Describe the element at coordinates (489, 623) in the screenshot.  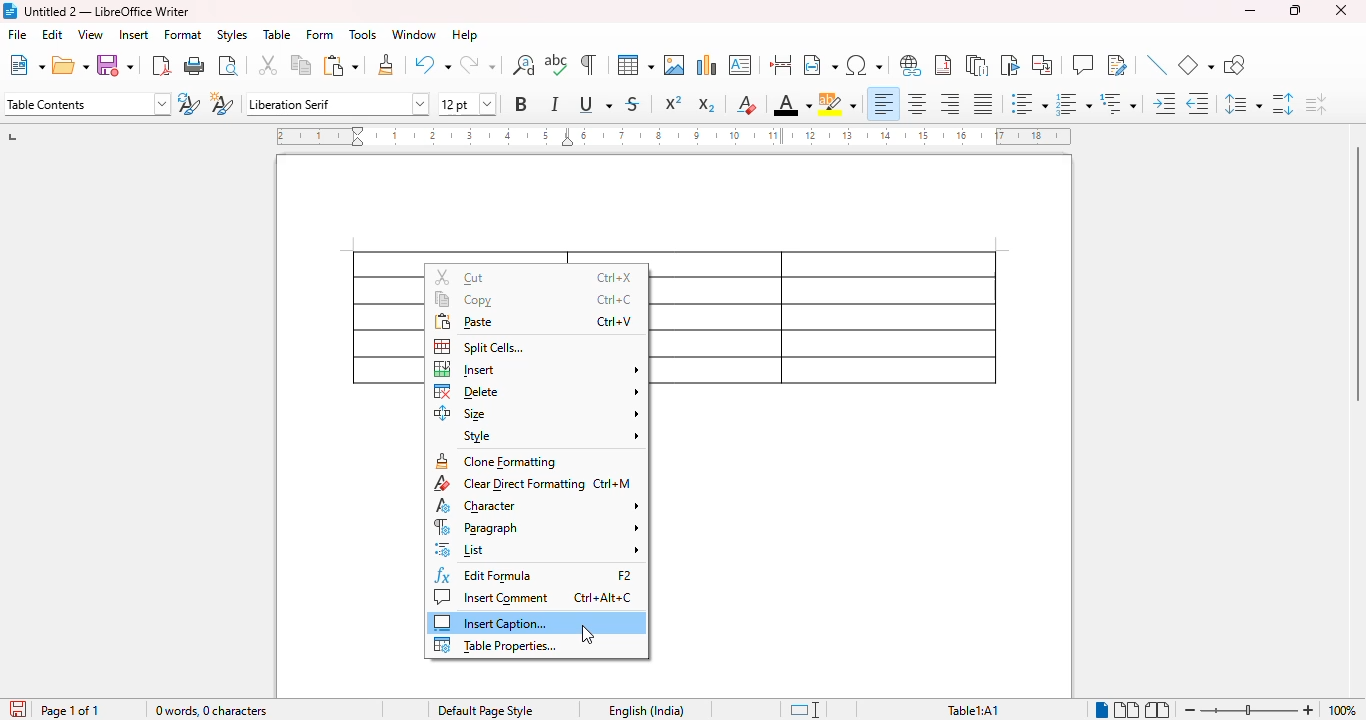
I see `insert caption` at that location.